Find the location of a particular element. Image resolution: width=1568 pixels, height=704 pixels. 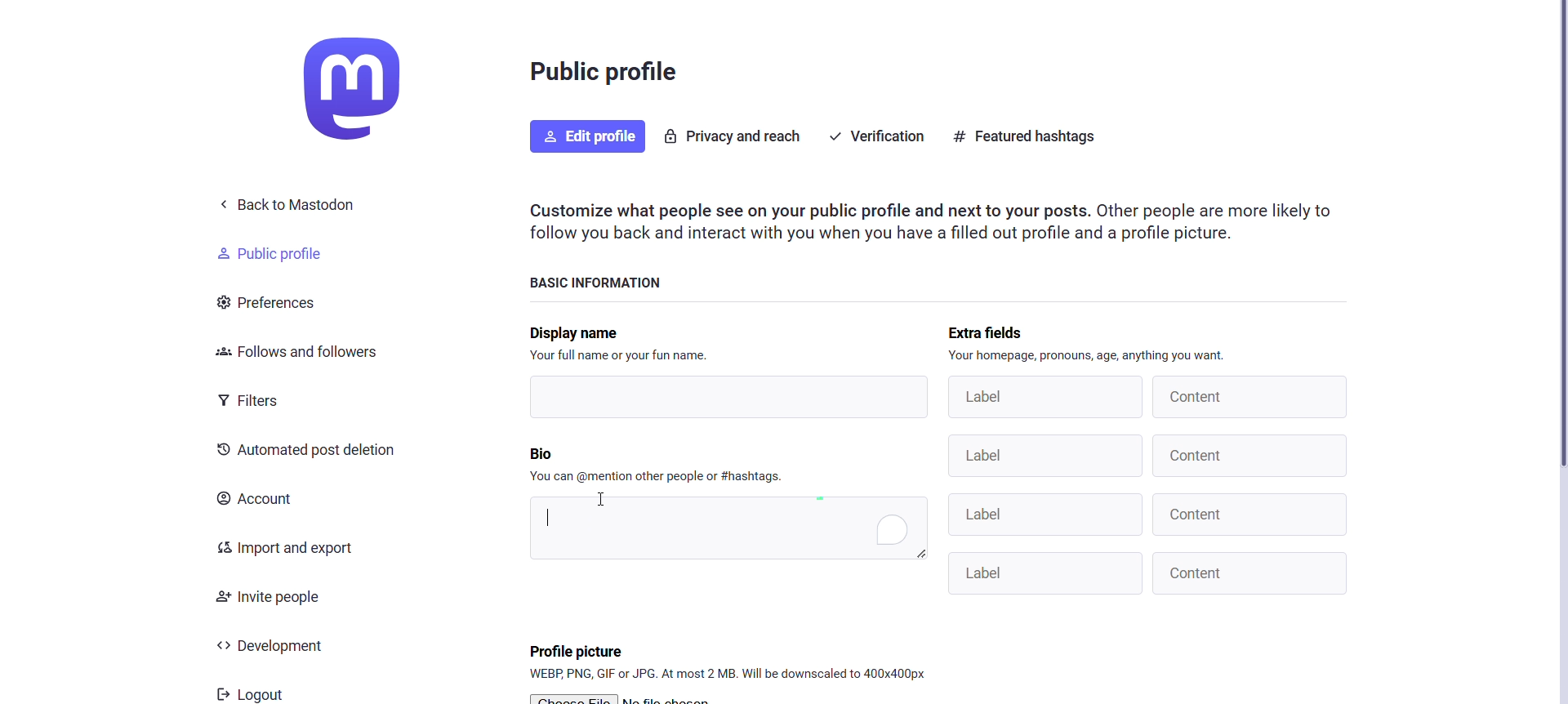

Preferences is located at coordinates (278, 302).